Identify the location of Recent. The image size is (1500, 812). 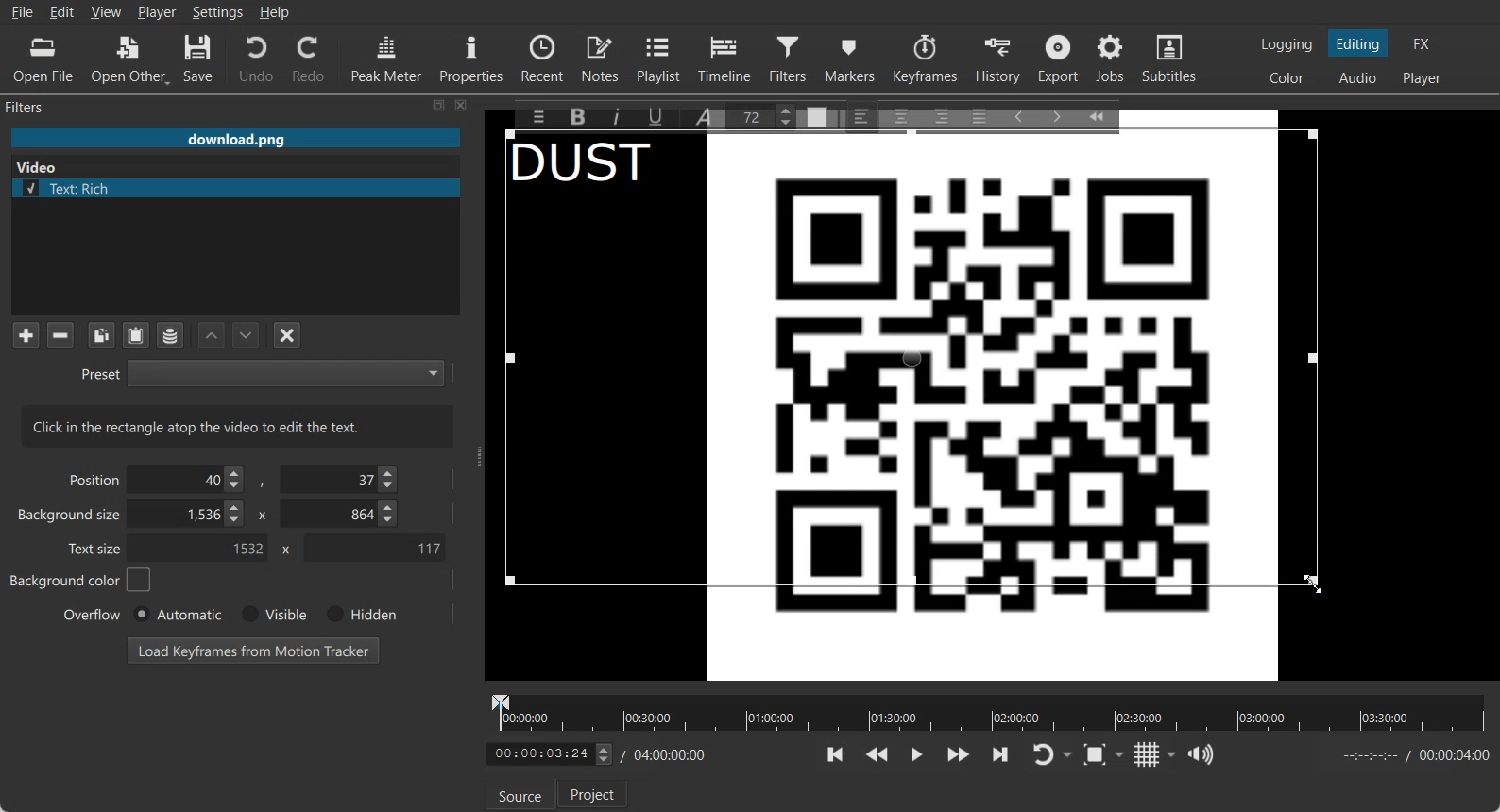
(542, 57).